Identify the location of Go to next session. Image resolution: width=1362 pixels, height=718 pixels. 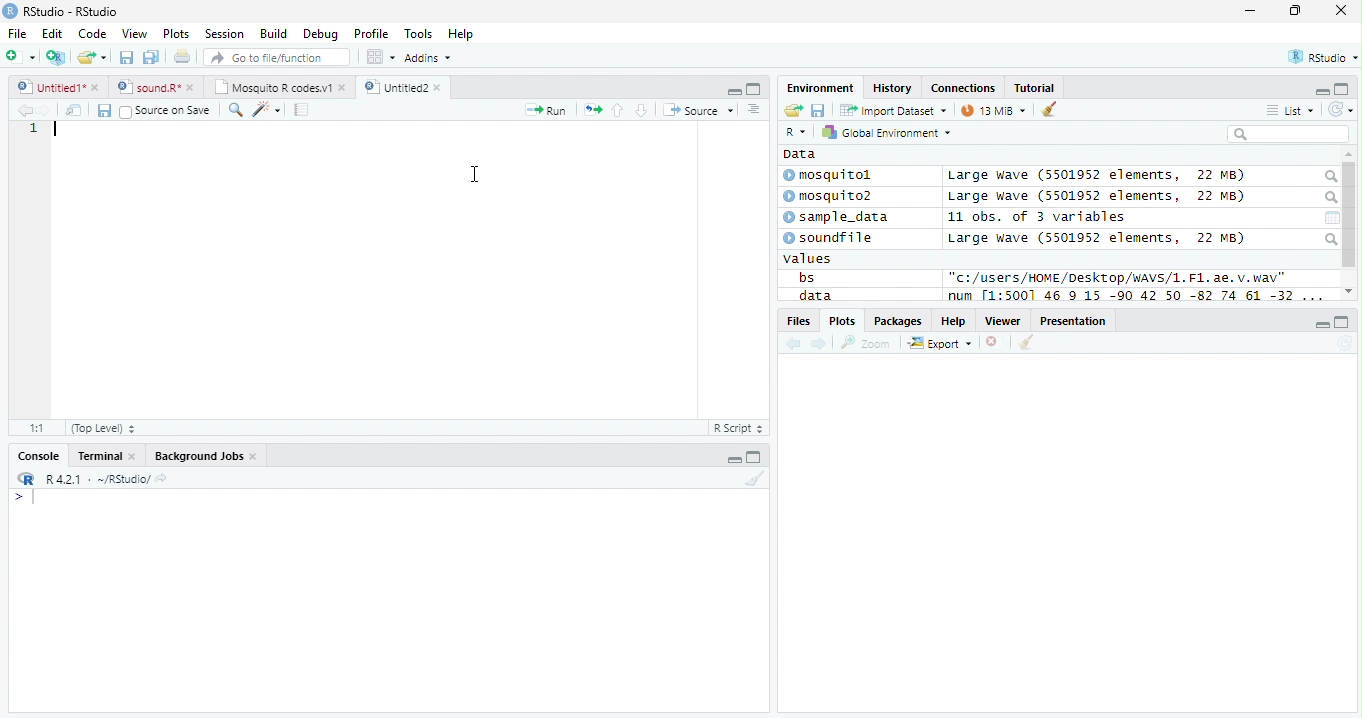
(642, 111).